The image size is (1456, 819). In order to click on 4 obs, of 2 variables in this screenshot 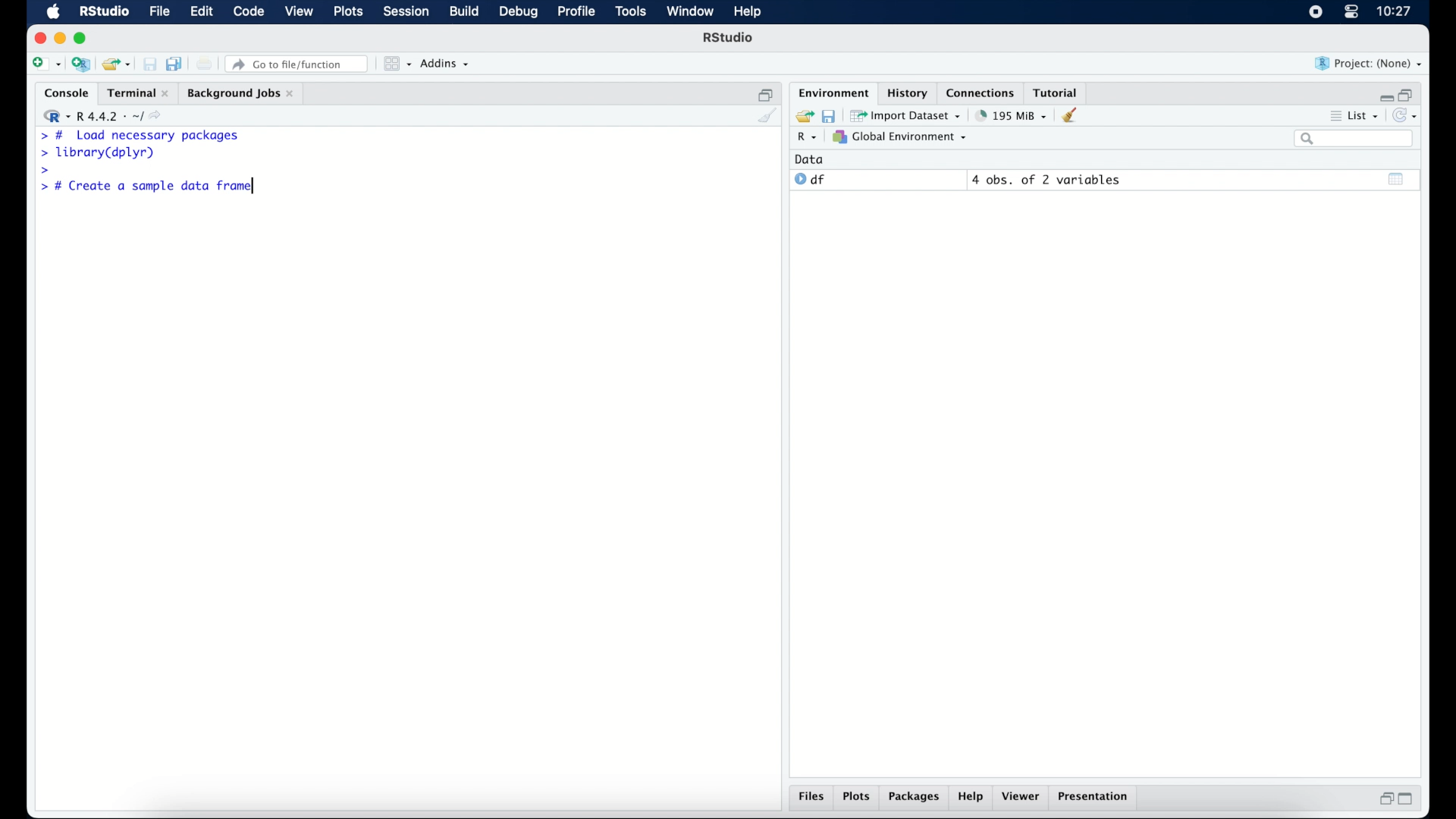, I will do `click(1046, 180)`.